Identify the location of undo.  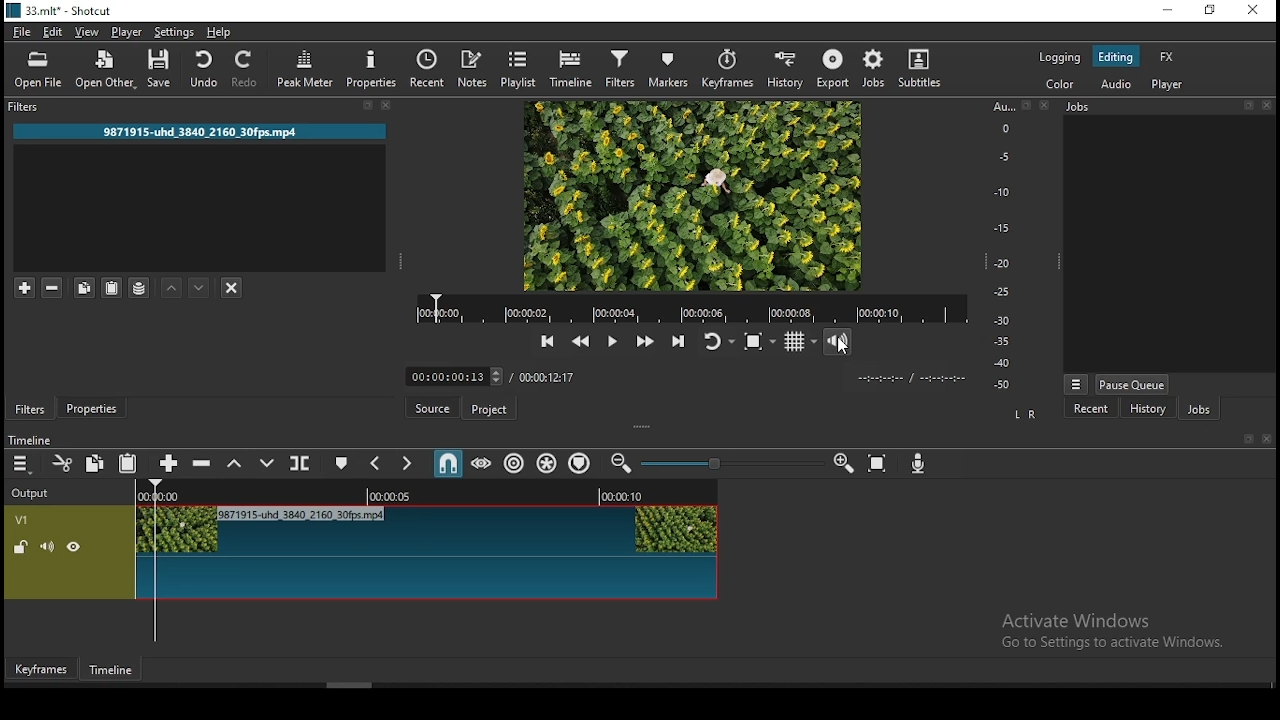
(207, 68).